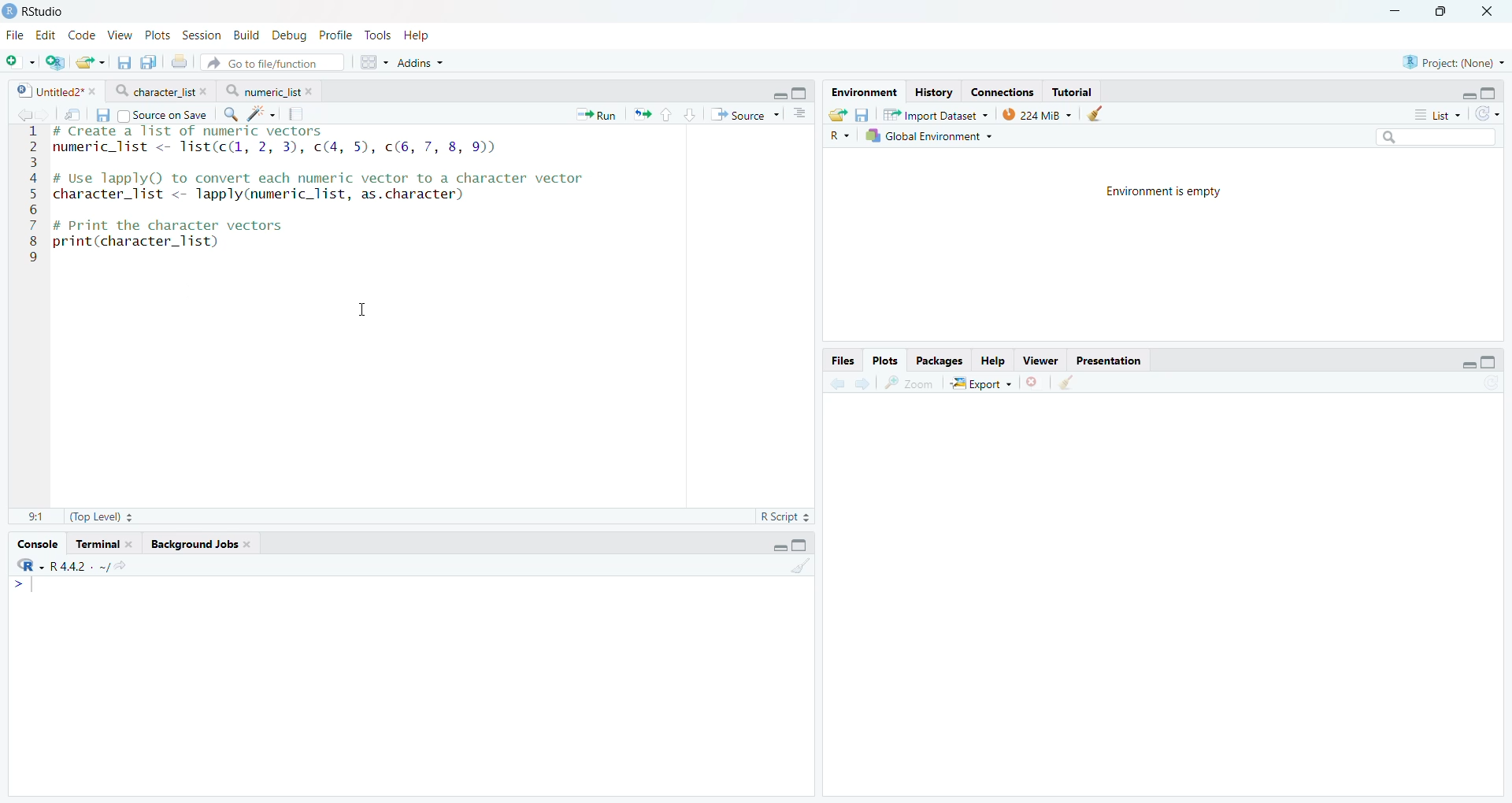 This screenshot has height=803, width=1512. I want to click on Export, so click(982, 383).